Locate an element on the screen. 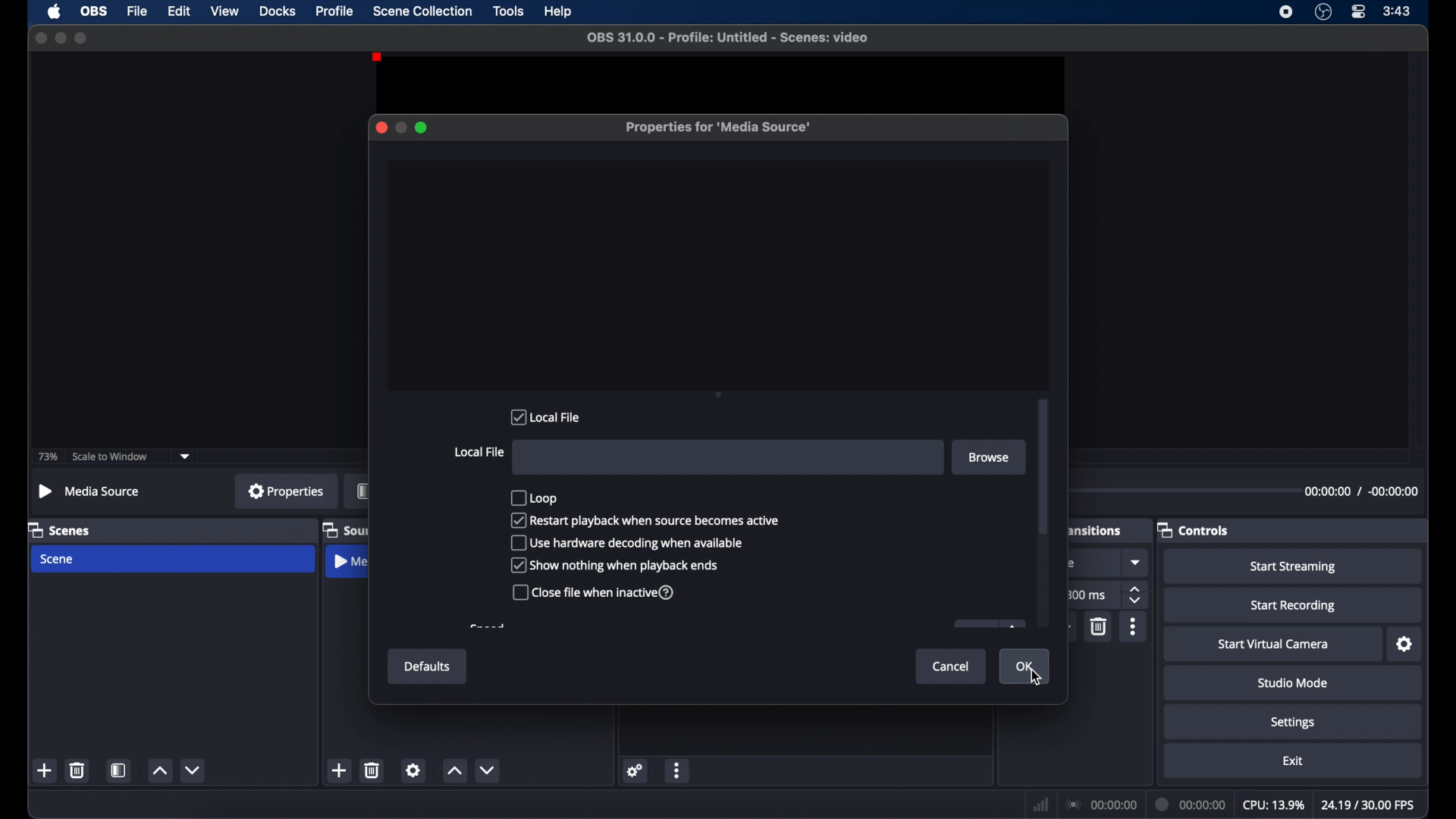 This screenshot has width=1456, height=819. obscure icon is located at coordinates (1070, 563).